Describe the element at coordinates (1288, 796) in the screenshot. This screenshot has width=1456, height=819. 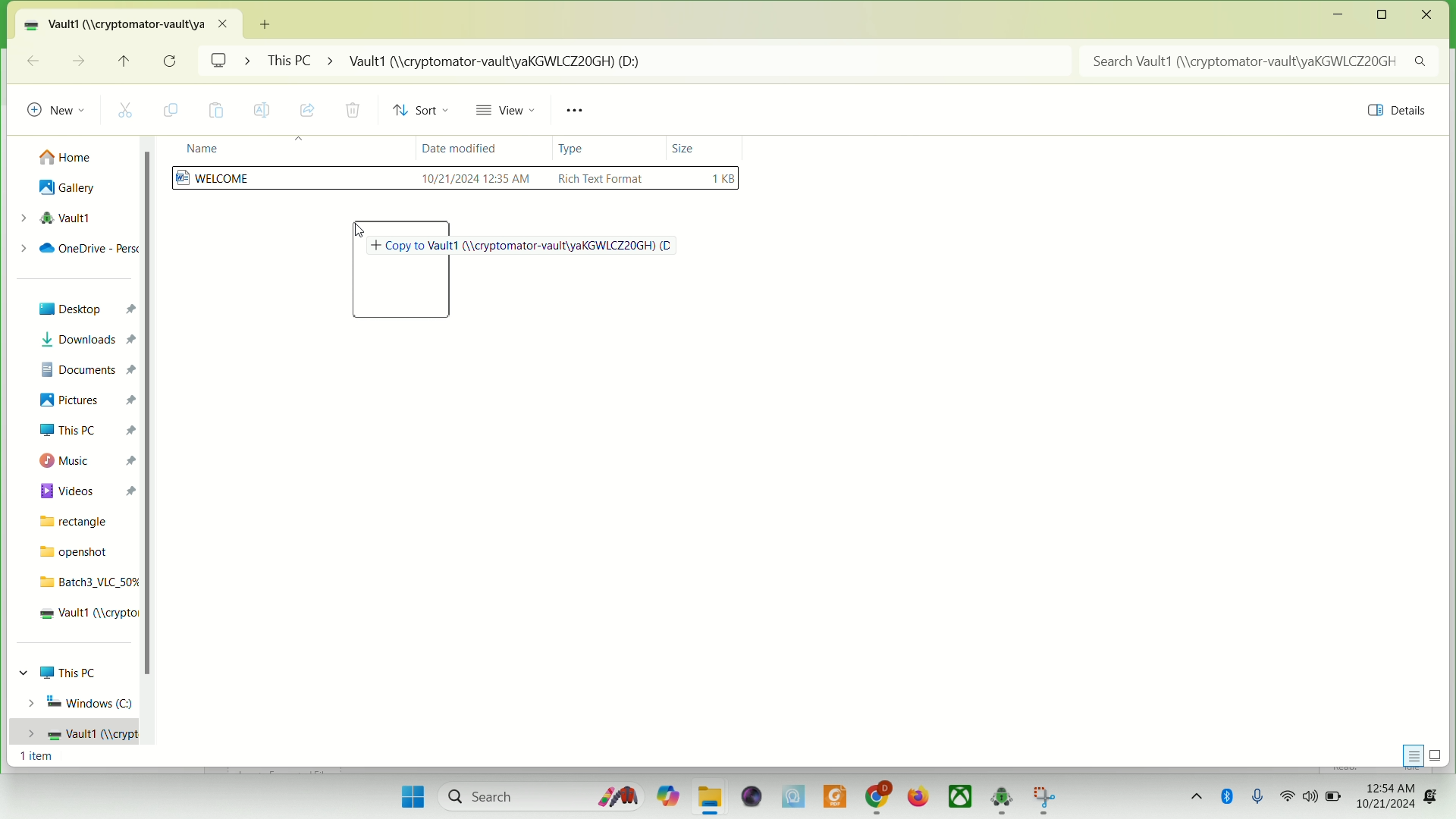
I see `wifi` at that location.